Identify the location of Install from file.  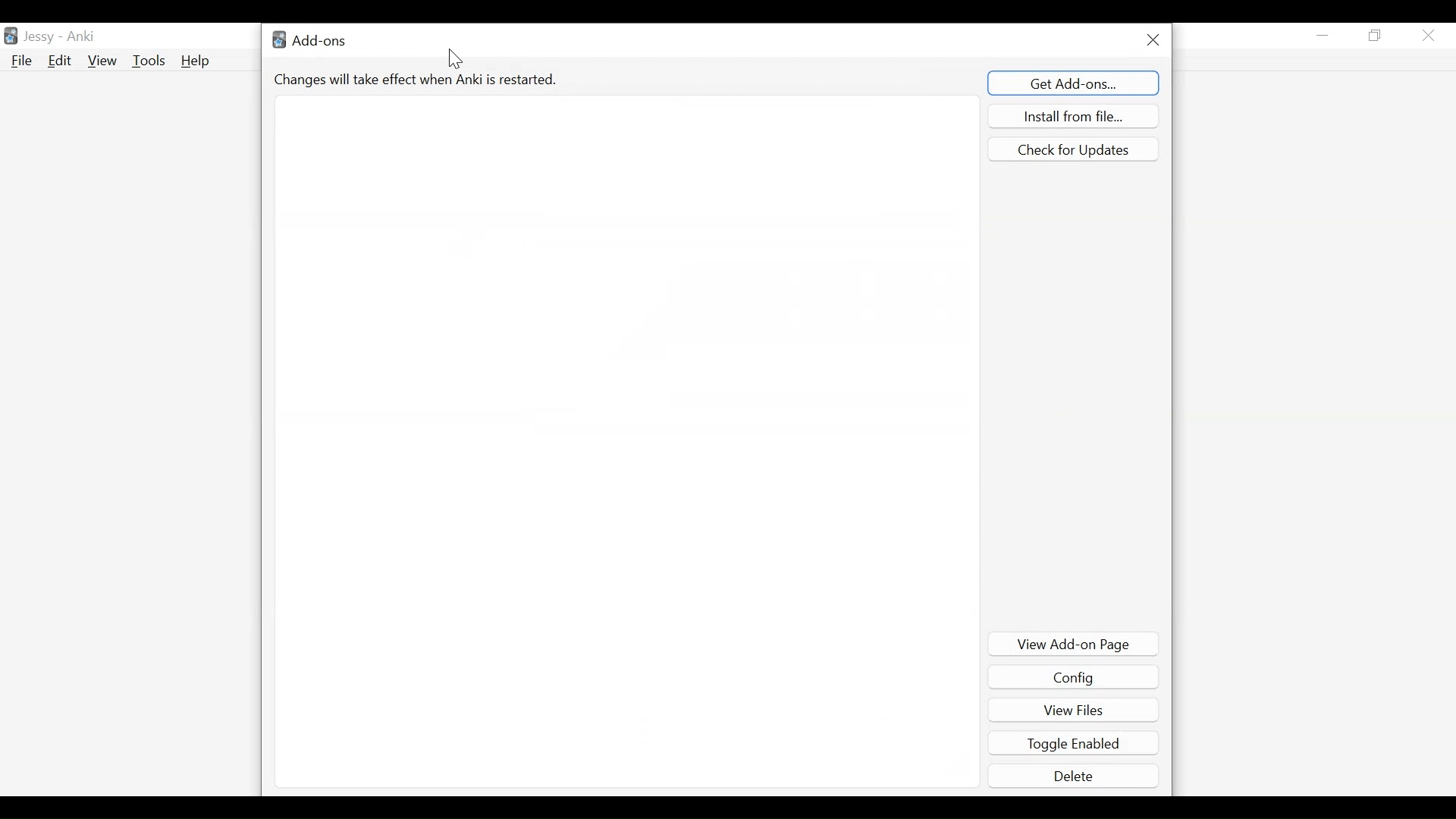
(1073, 115).